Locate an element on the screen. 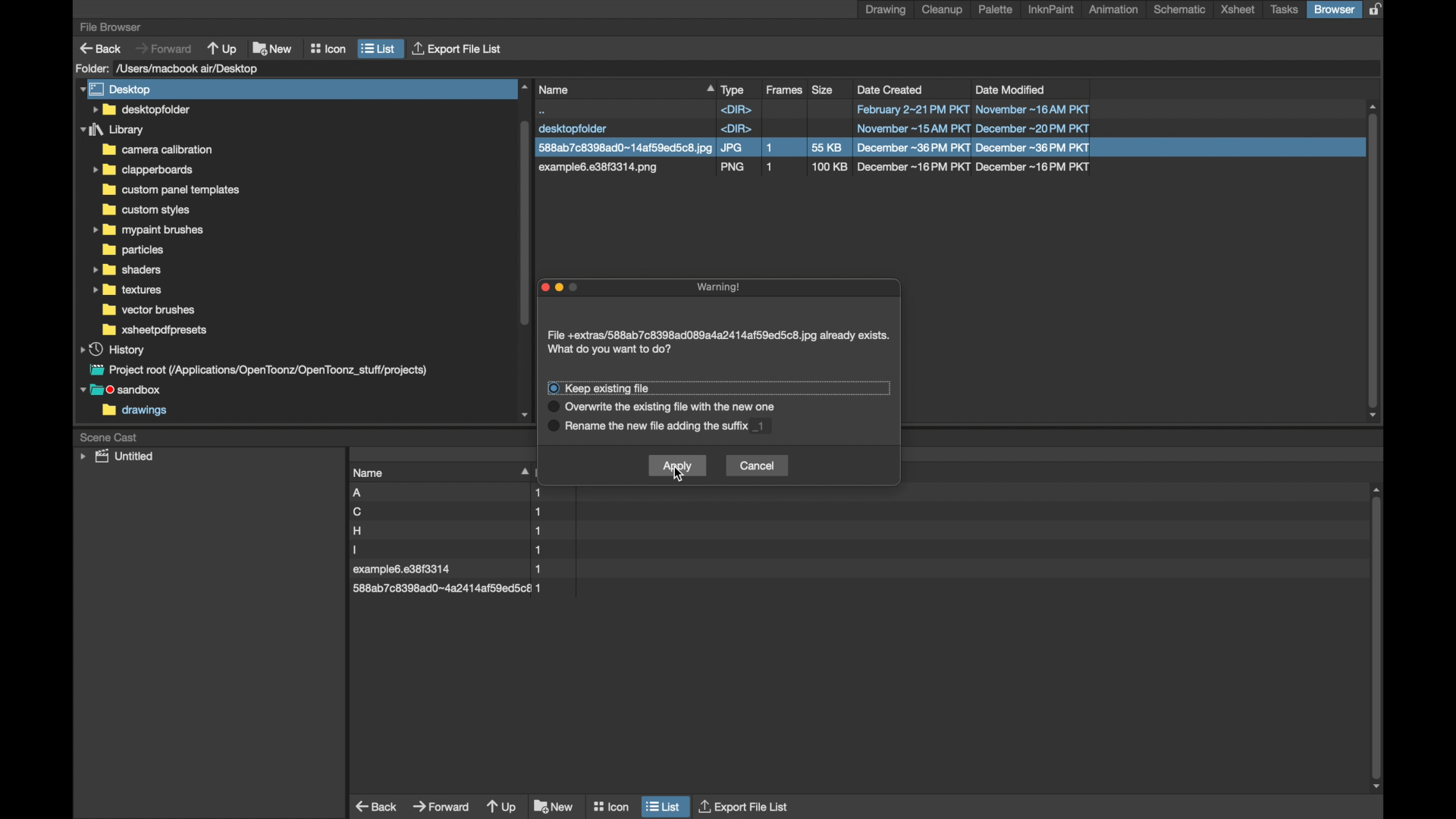 The image size is (1456, 819). folder is located at coordinates (92, 68).